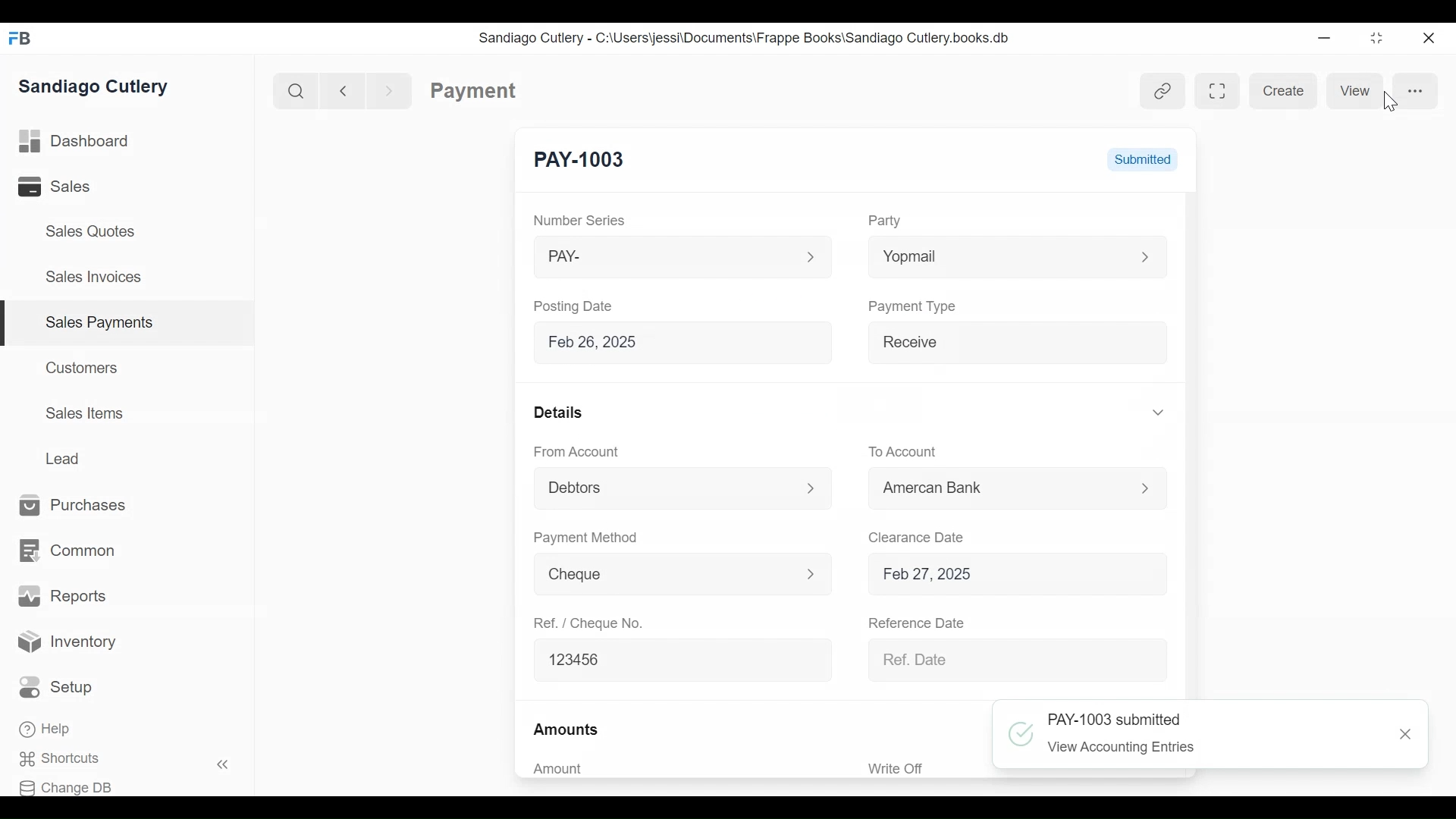 The width and height of the screenshot is (1456, 819). What do you see at coordinates (1284, 91) in the screenshot?
I see `Create` at bounding box center [1284, 91].